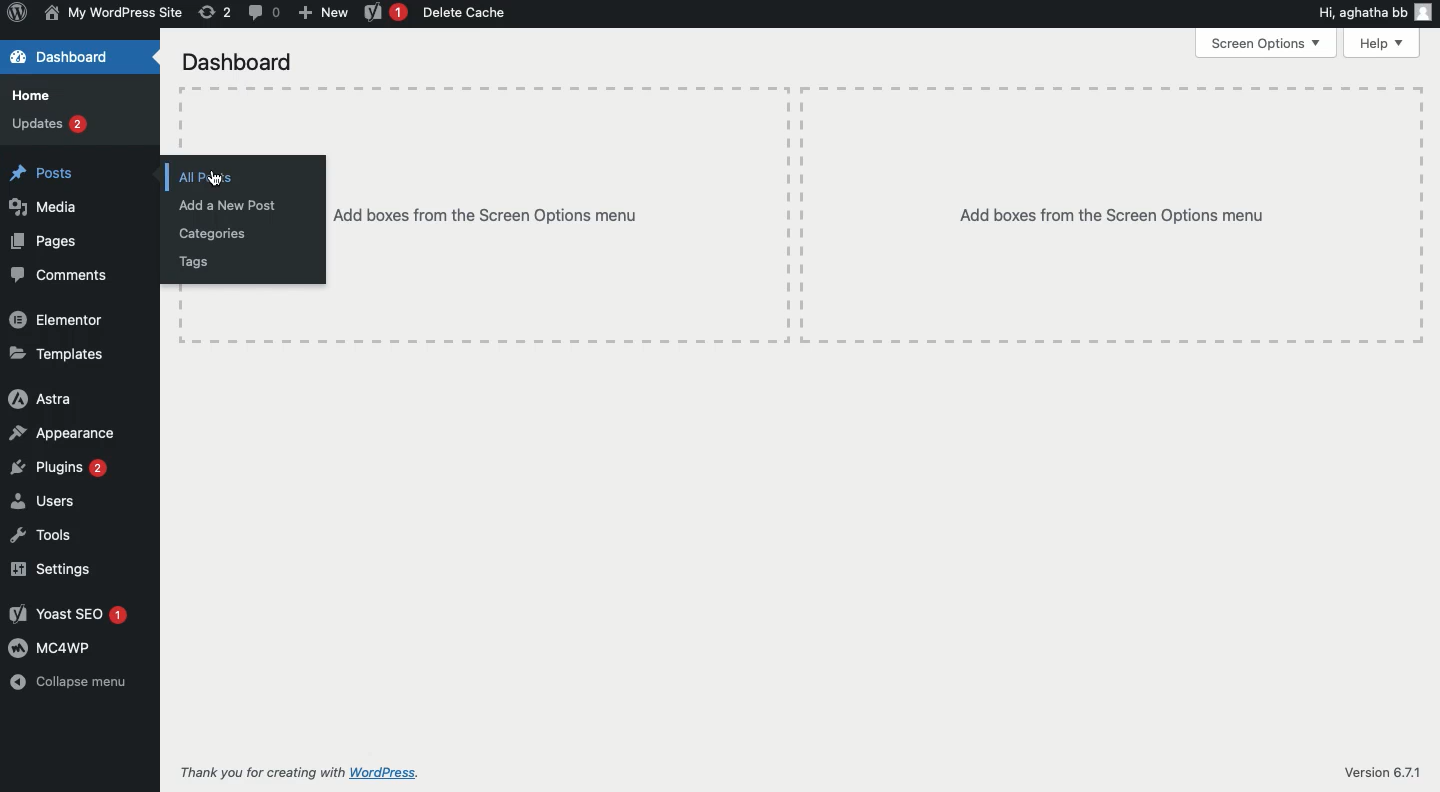 This screenshot has width=1440, height=792. Describe the element at coordinates (48, 207) in the screenshot. I see `Media` at that location.